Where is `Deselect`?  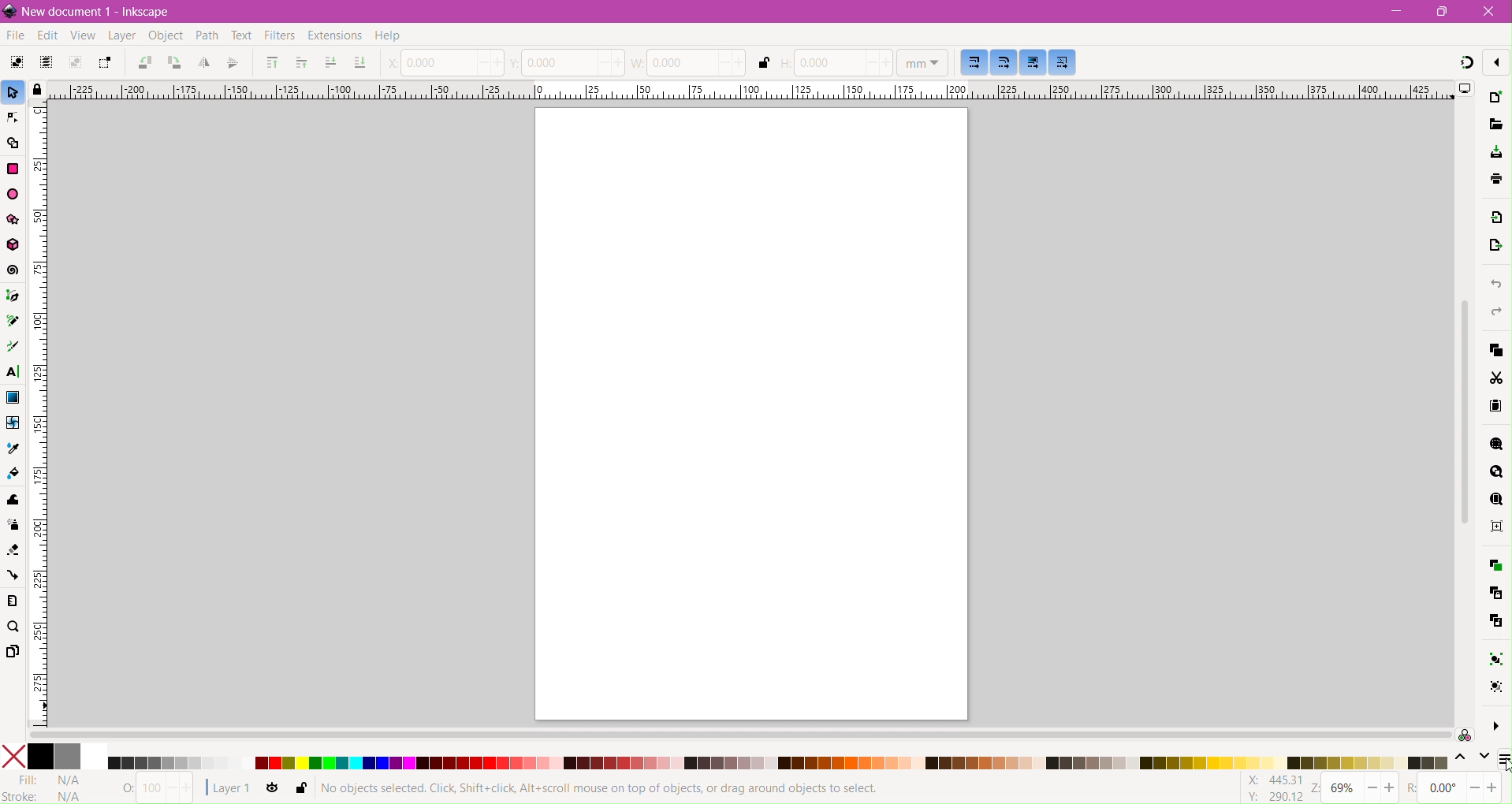 Deselect is located at coordinates (76, 63).